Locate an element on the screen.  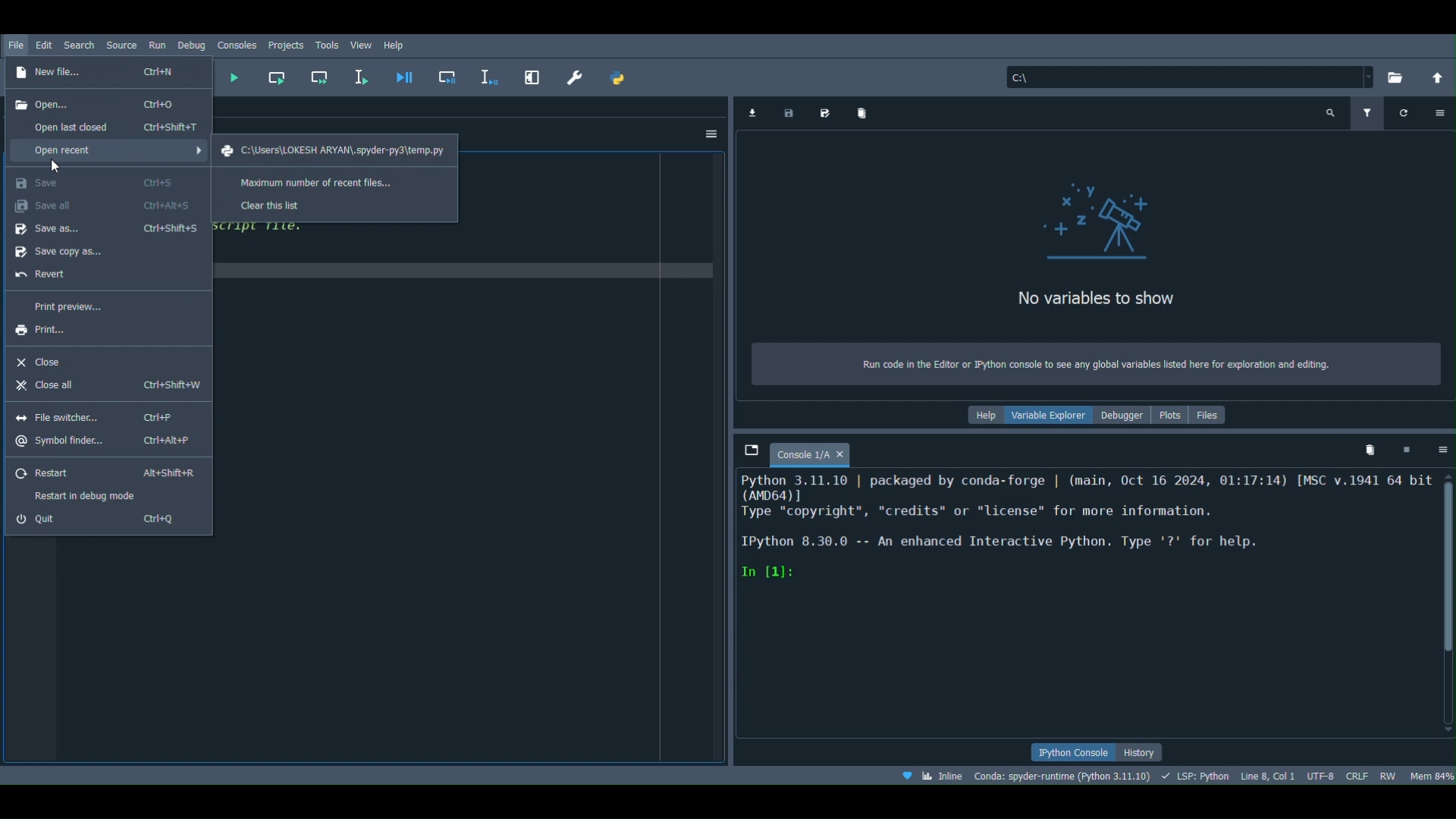
Remove  all variables from namespace is located at coordinates (1370, 453).